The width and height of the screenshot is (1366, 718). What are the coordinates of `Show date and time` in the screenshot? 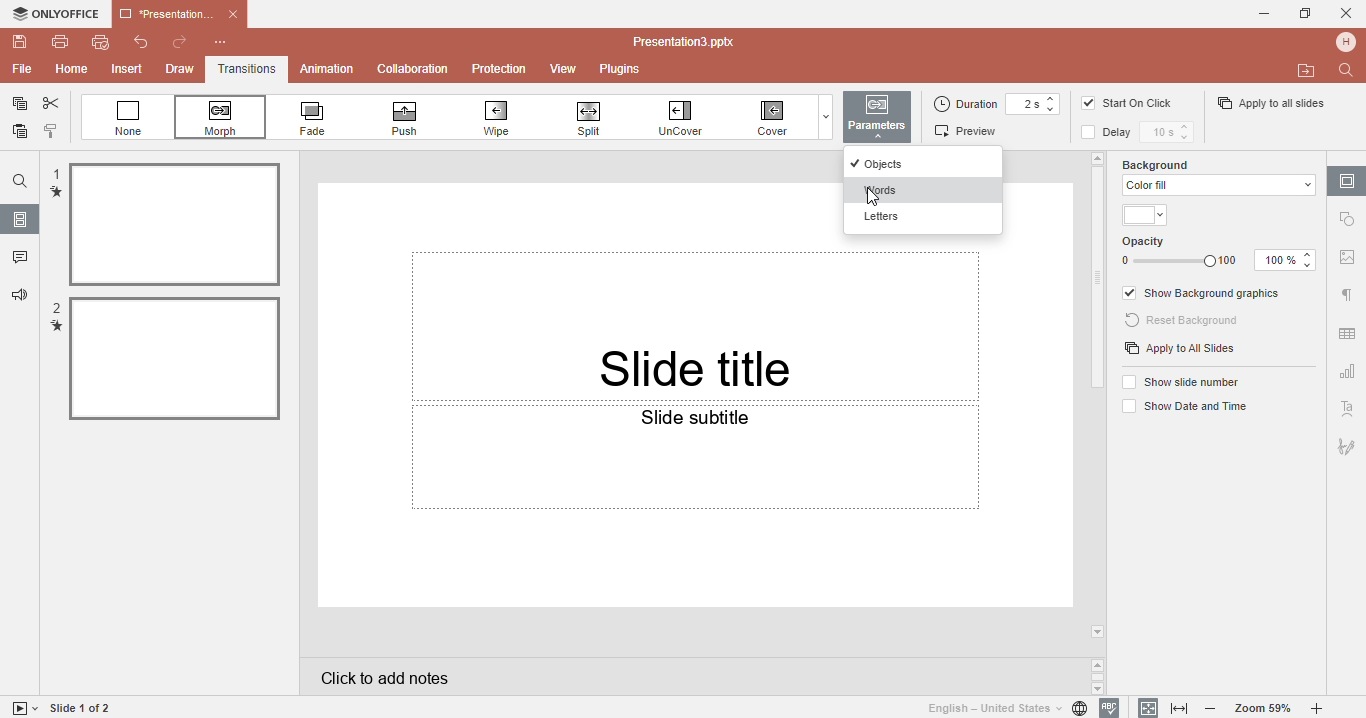 It's located at (1182, 408).